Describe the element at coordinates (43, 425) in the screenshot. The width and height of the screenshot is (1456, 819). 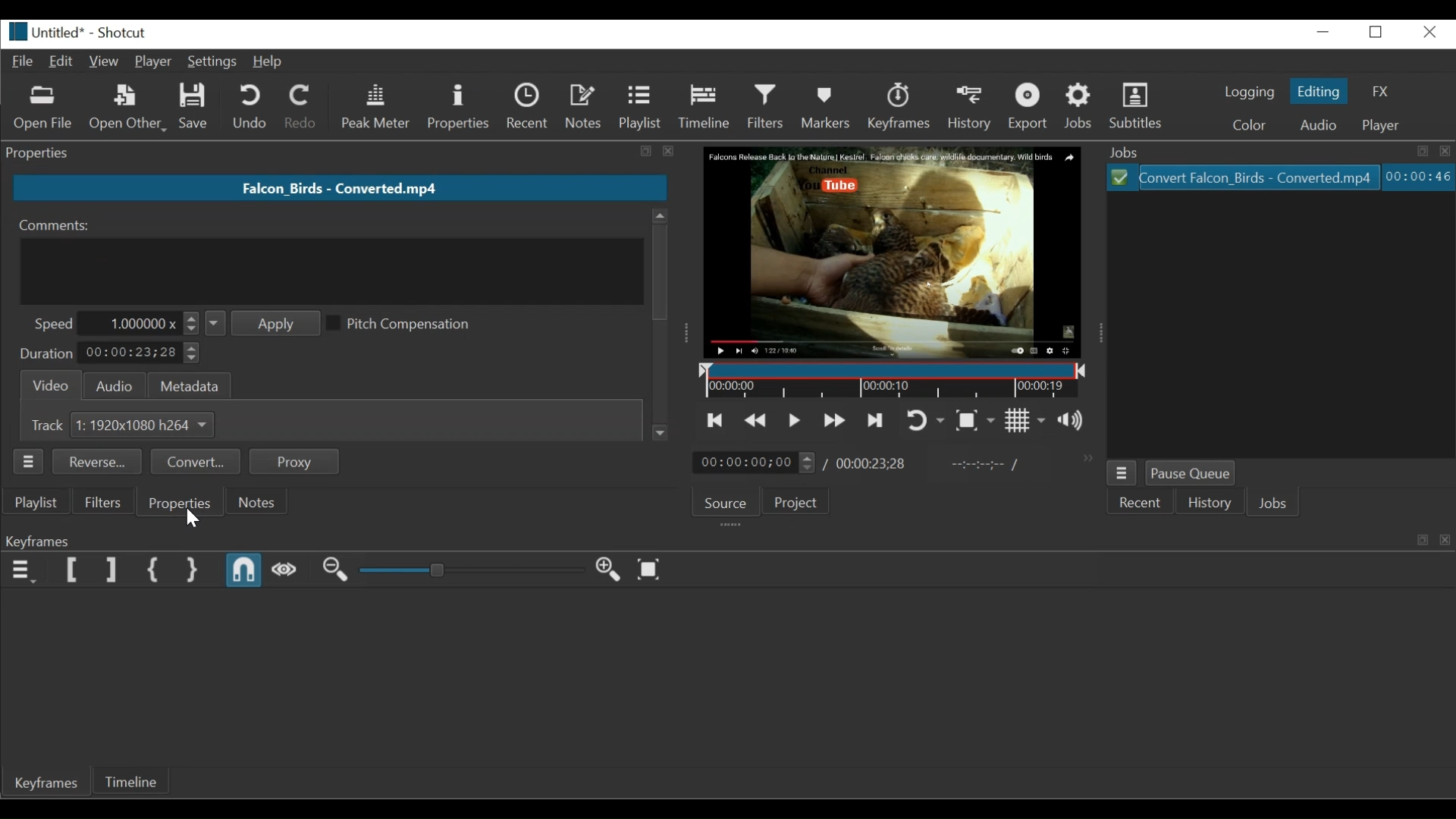
I see `Track` at that location.